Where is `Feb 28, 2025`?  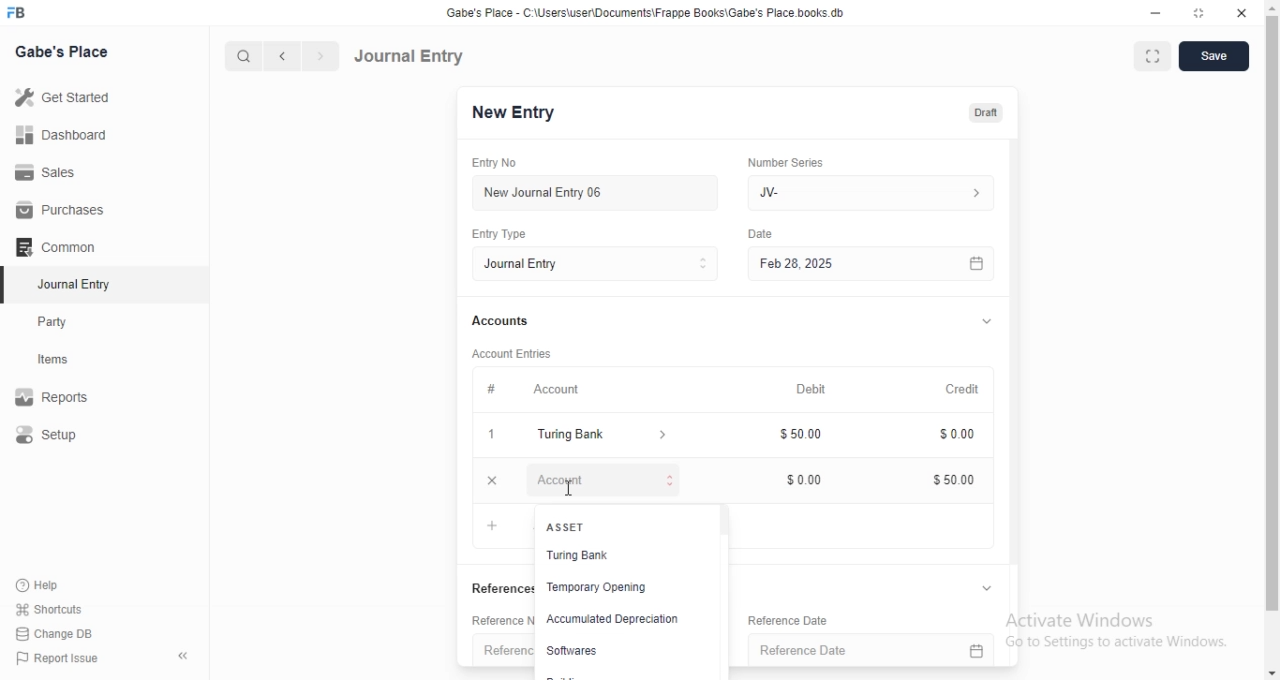 Feb 28, 2025 is located at coordinates (860, 263).